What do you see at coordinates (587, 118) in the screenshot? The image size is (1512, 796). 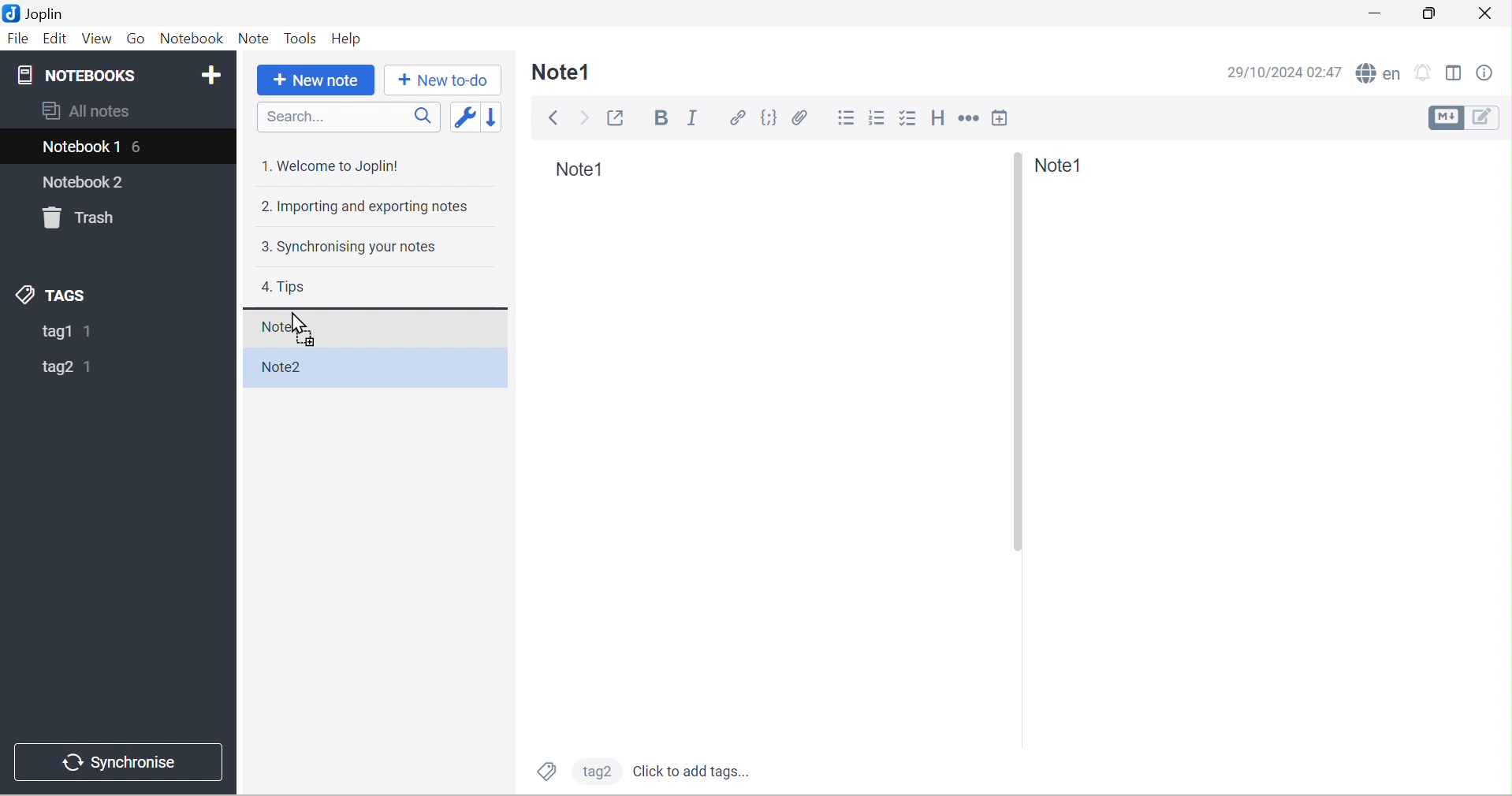 I see `Forward` at bounding box center [587, 118].